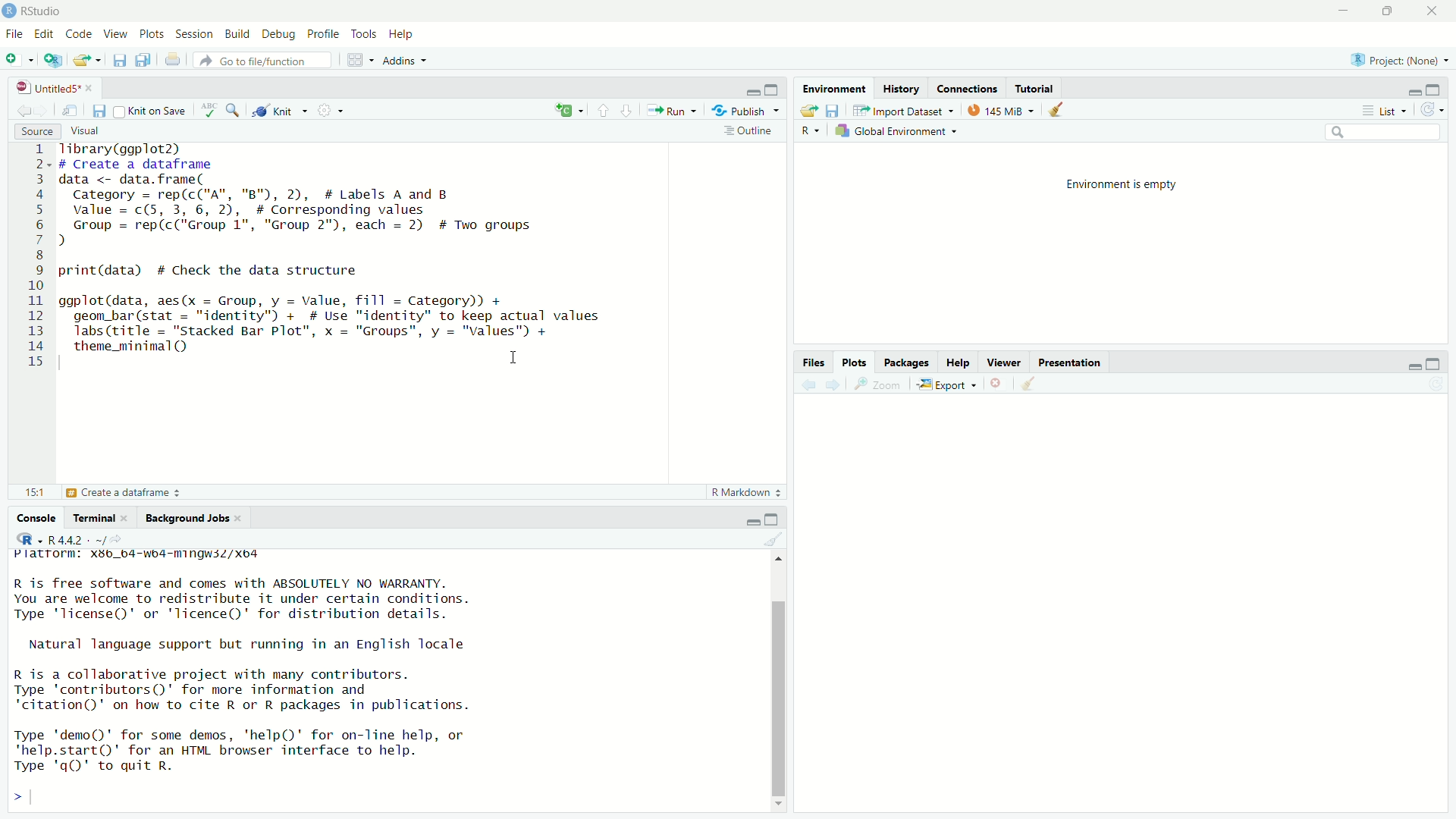 This screenshot has height=819, width=1456. Describe the element at coordinates (950, 383) in the screenshot. I see `Export` at that location.